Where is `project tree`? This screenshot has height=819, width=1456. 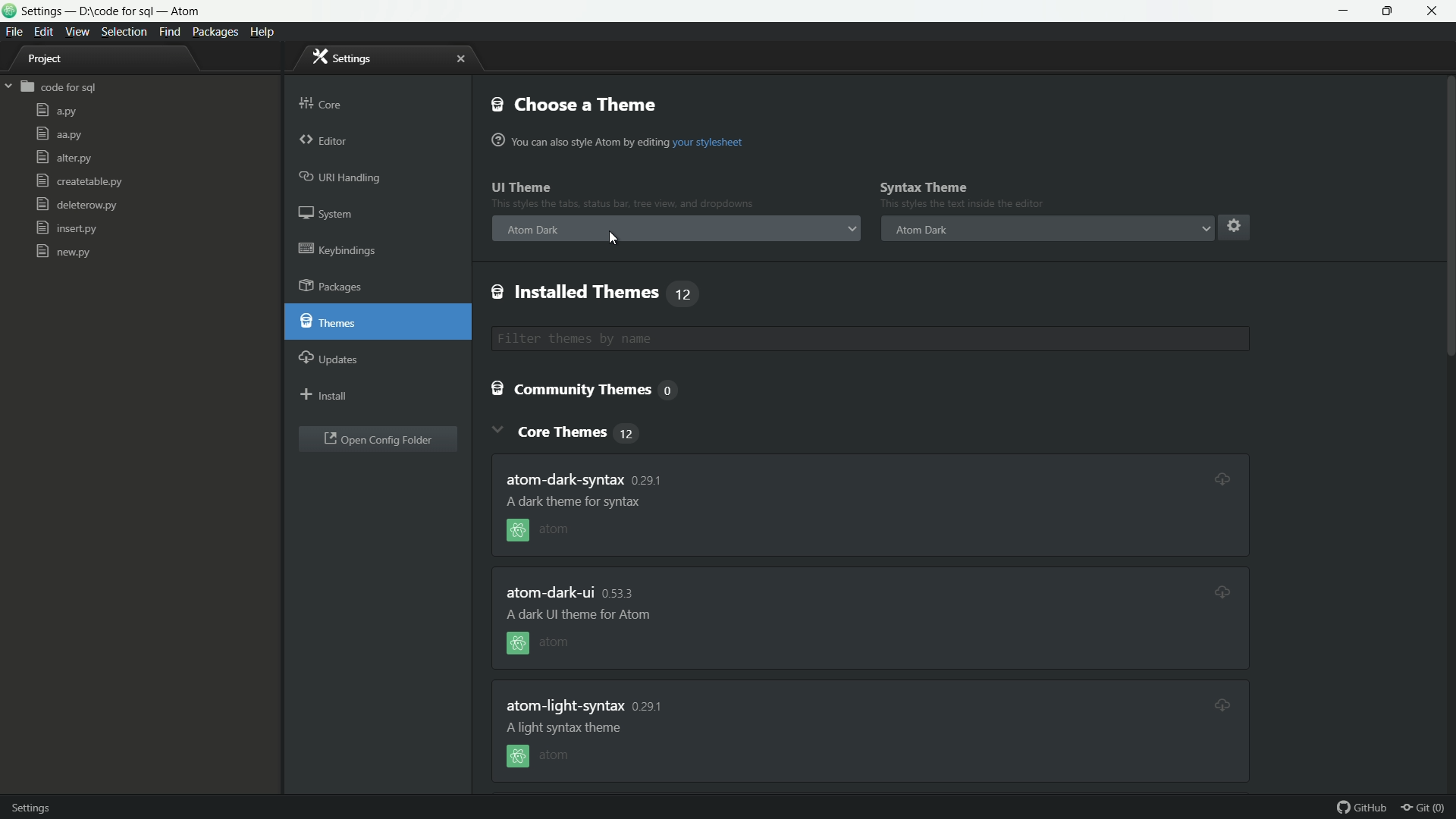
project tree is located at coordinates (53, 61).